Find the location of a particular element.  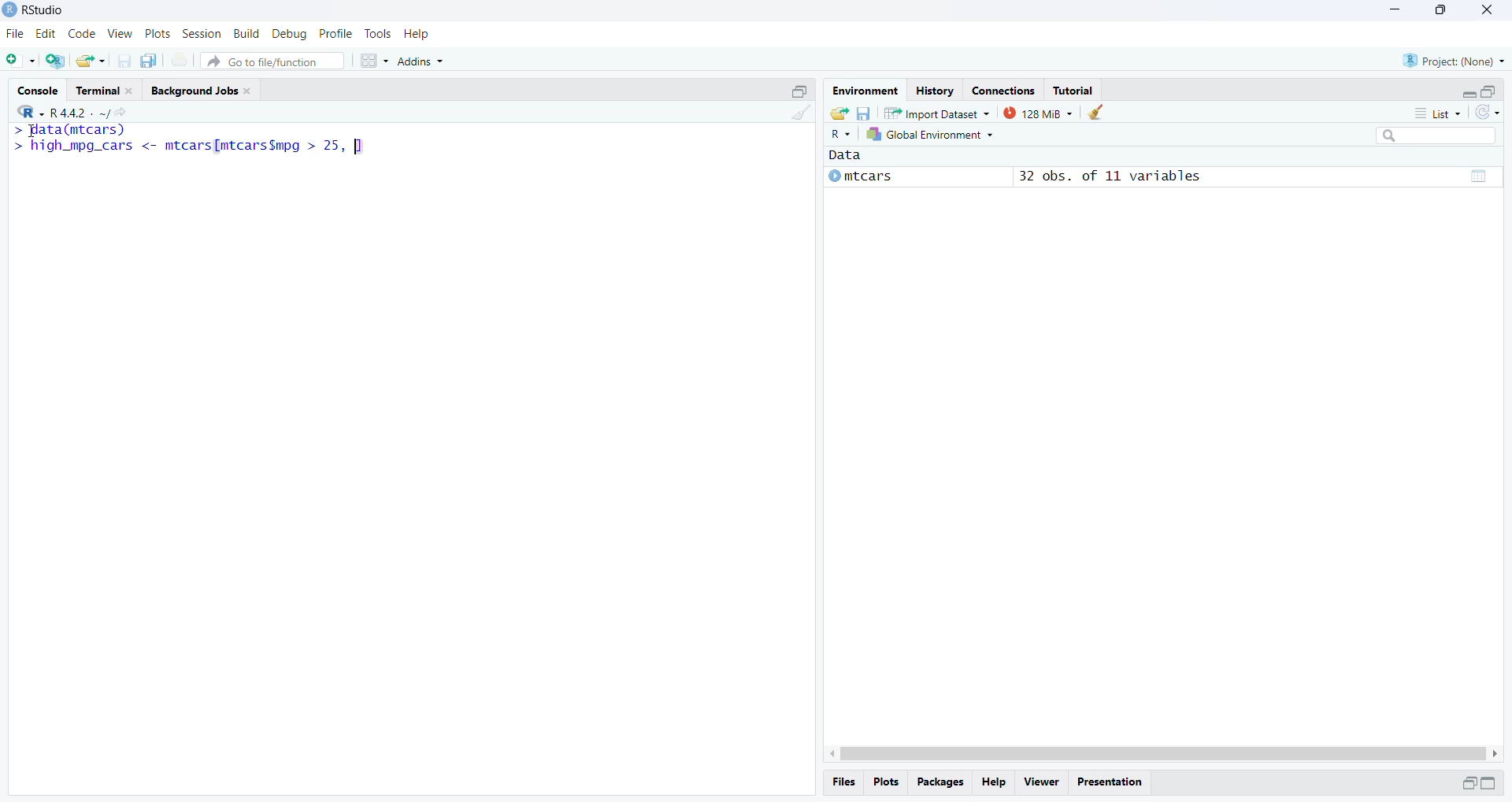

Project: (None) is located at coordinates (1455, 60).